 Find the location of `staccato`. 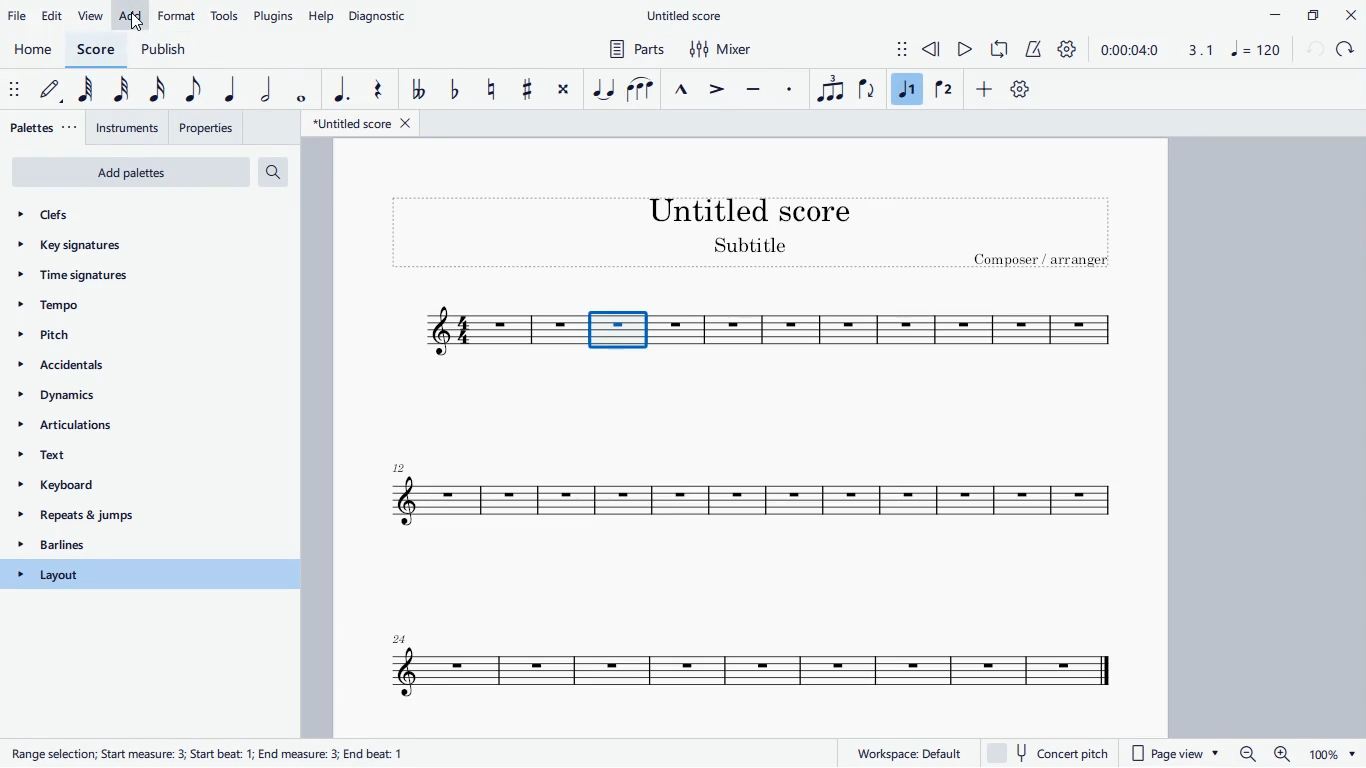

staccato is located at coordinates (791, 89).